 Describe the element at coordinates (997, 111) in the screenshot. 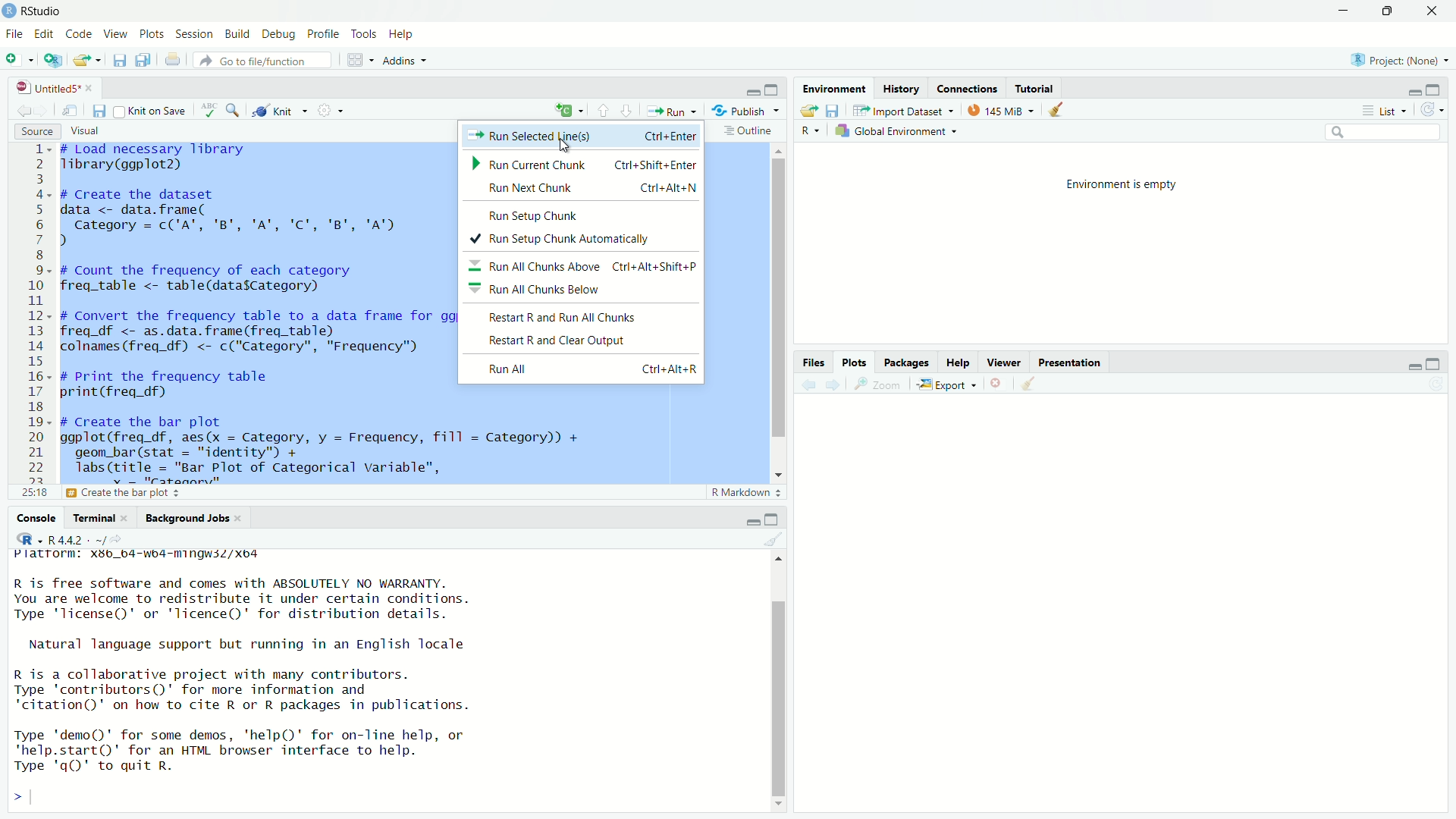

I see `145 MiB` at that location.